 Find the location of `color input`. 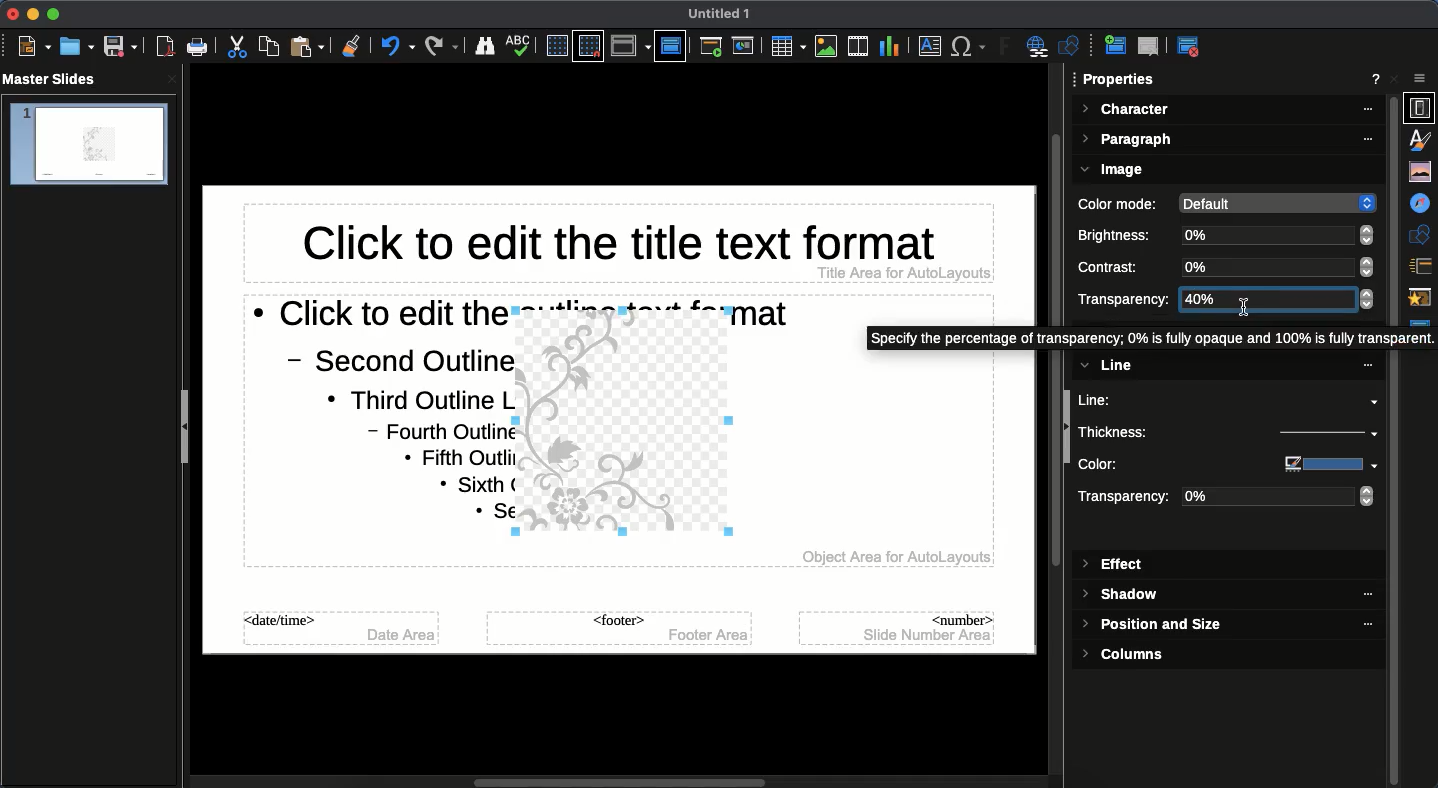

color input is located at coordinates (1320, 464).